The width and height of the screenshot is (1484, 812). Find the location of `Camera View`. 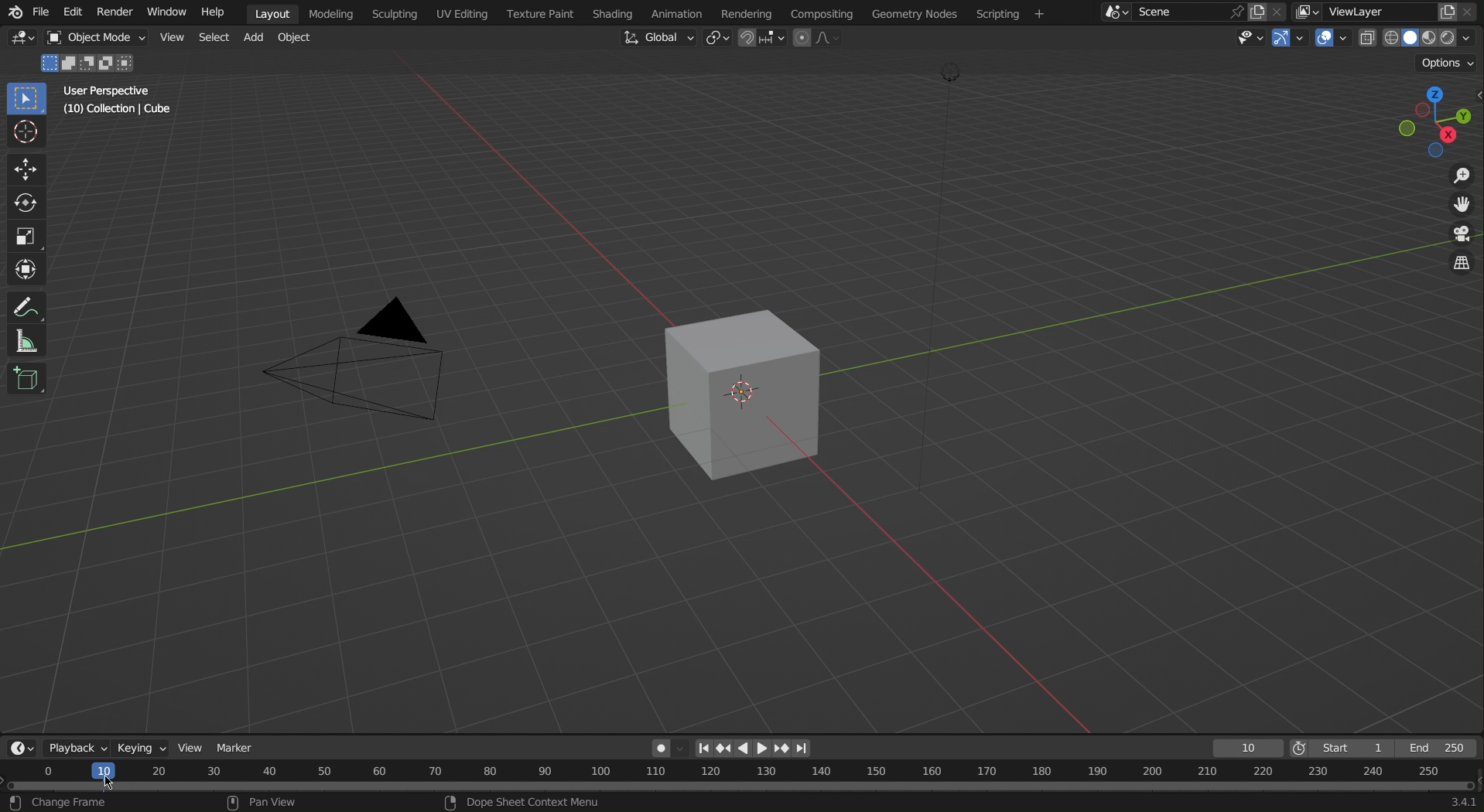

Camera View is located at coordinates (1461, 234).